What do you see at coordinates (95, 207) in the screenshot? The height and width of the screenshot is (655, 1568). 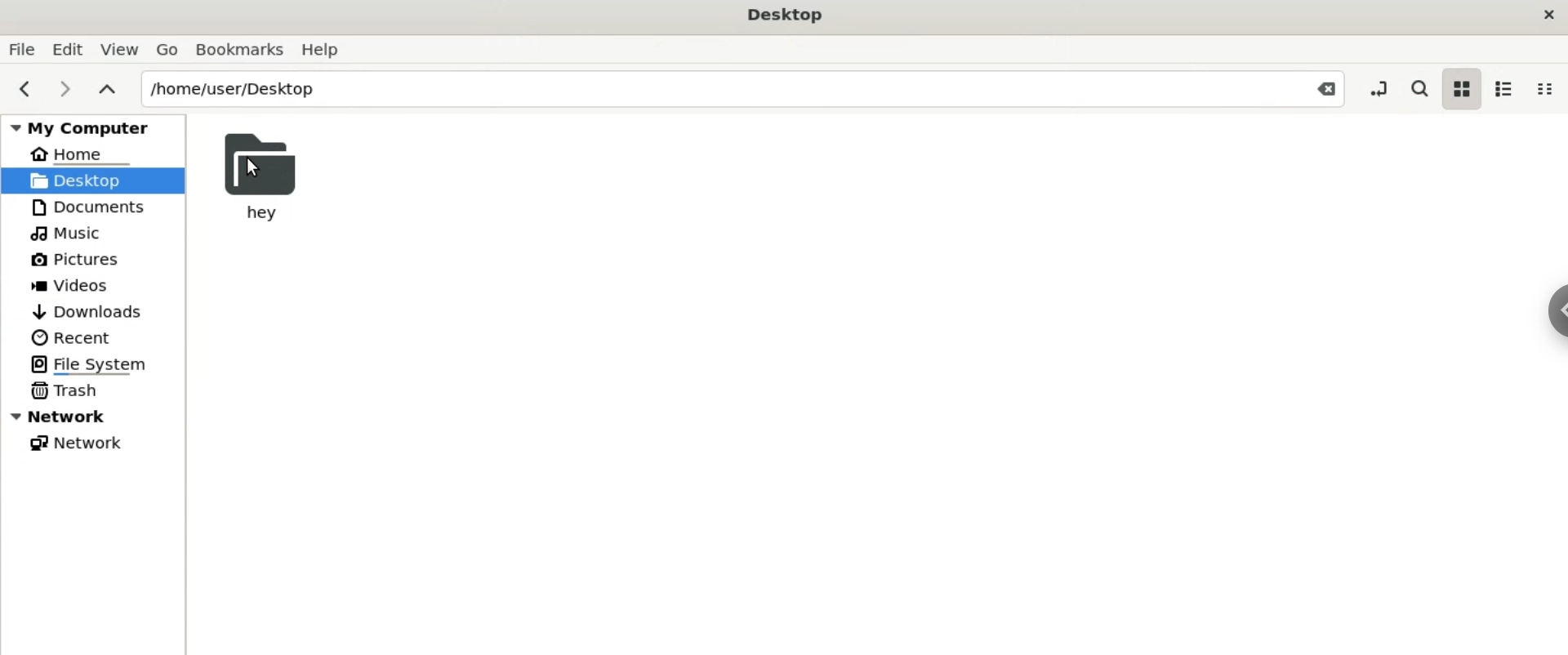 I see `documents` at bounding box center [95, 207].